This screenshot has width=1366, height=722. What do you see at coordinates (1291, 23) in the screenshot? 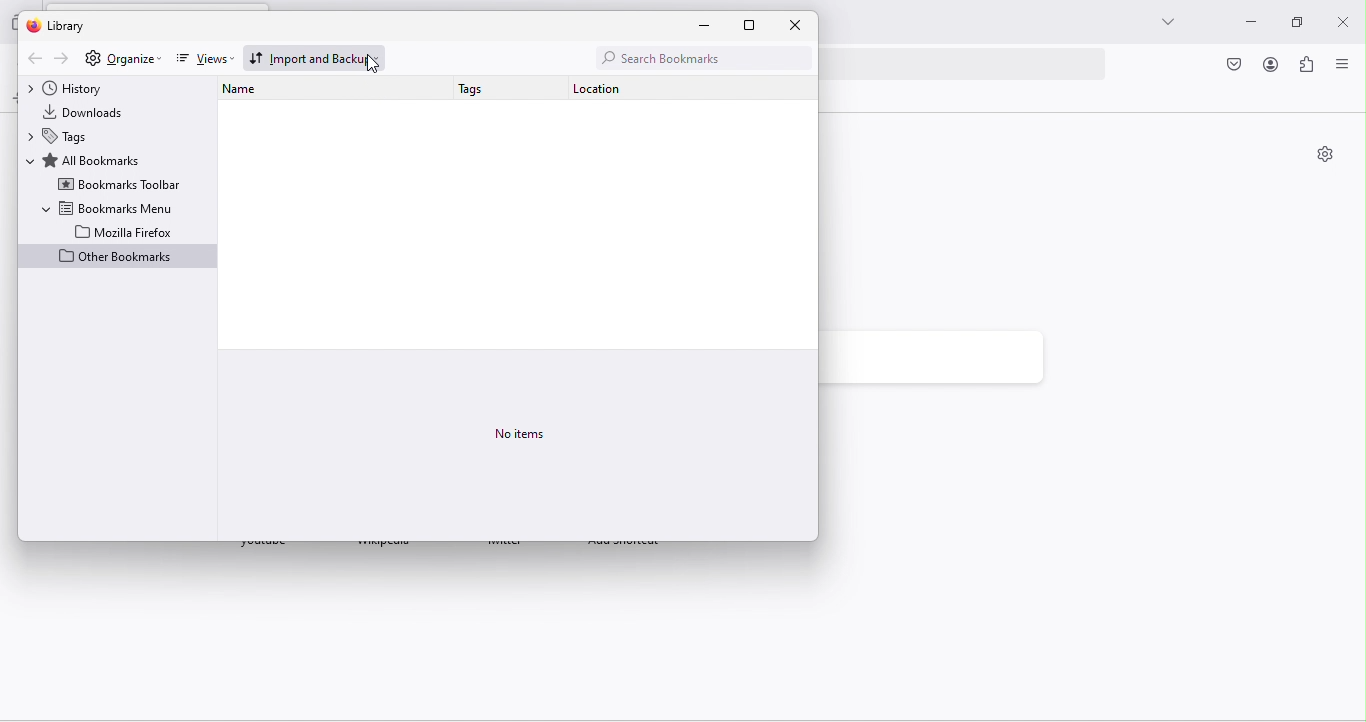
I see `maximize` at bounding box center [1291, 23].